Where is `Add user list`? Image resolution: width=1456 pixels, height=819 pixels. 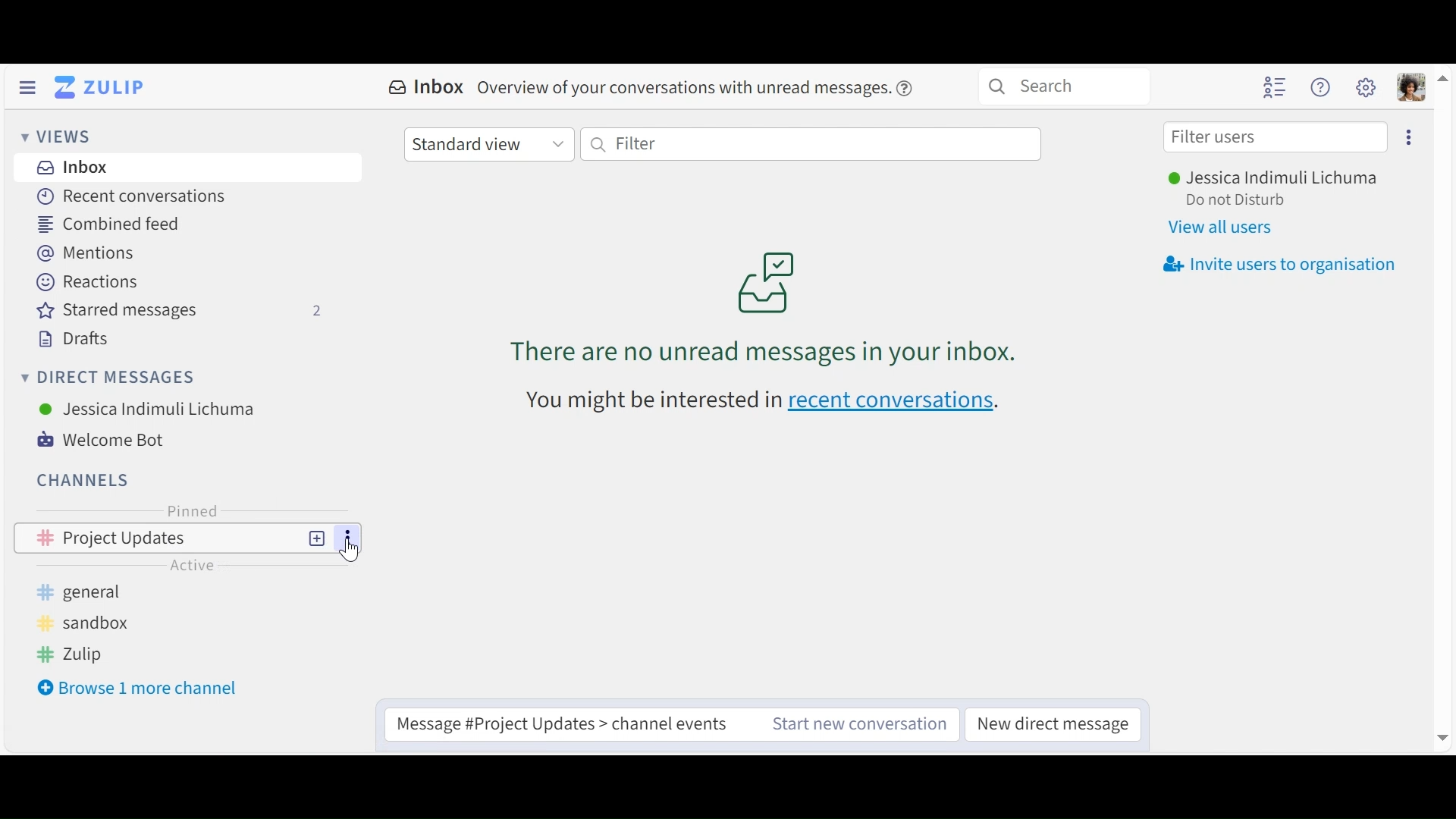
Add user list is located at coordinates (1276, 86).